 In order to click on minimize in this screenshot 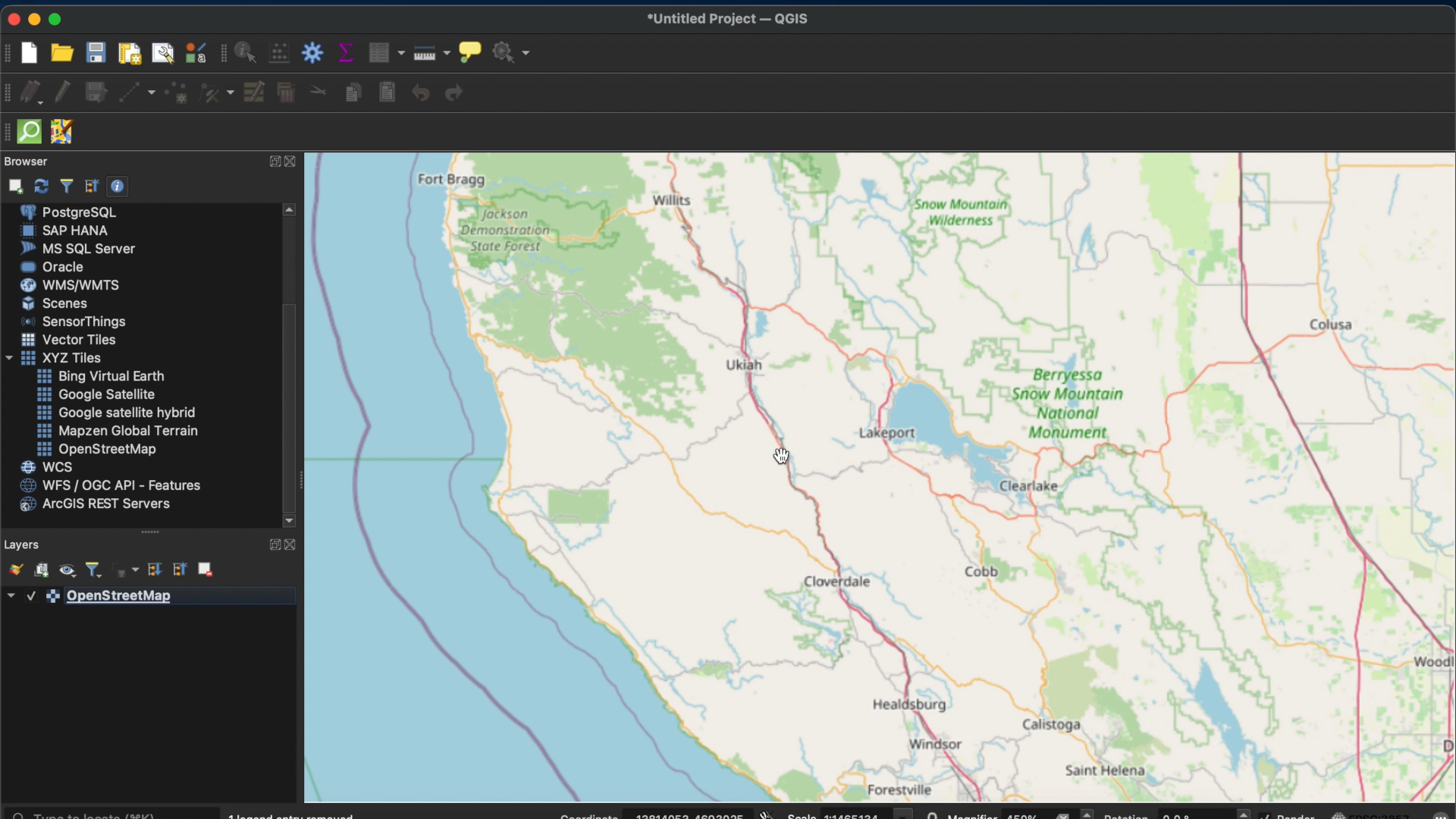, I will do `click(36, 19)`.